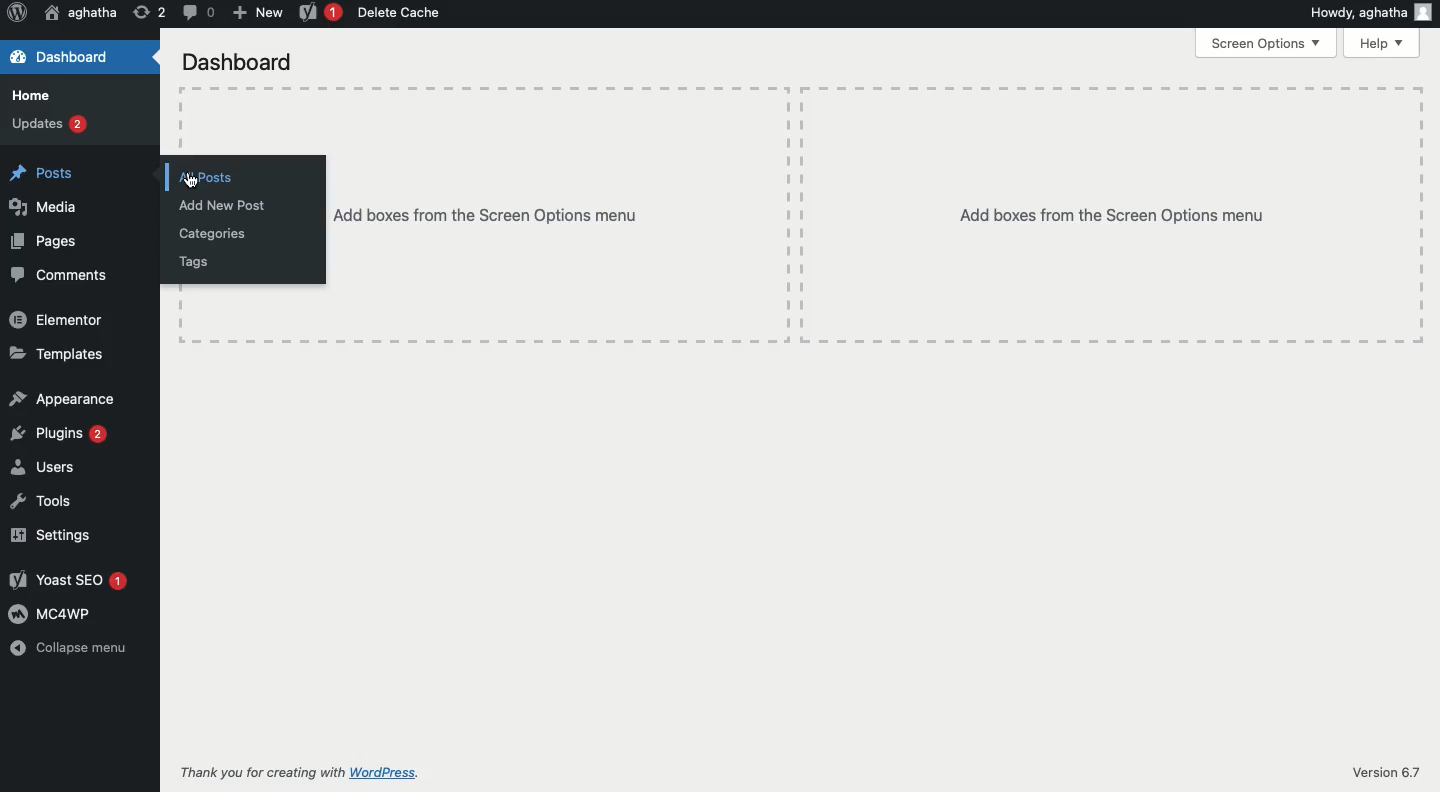 This screenshot has width=1440, height=792. I want to click on Tags, so click(193, 261).